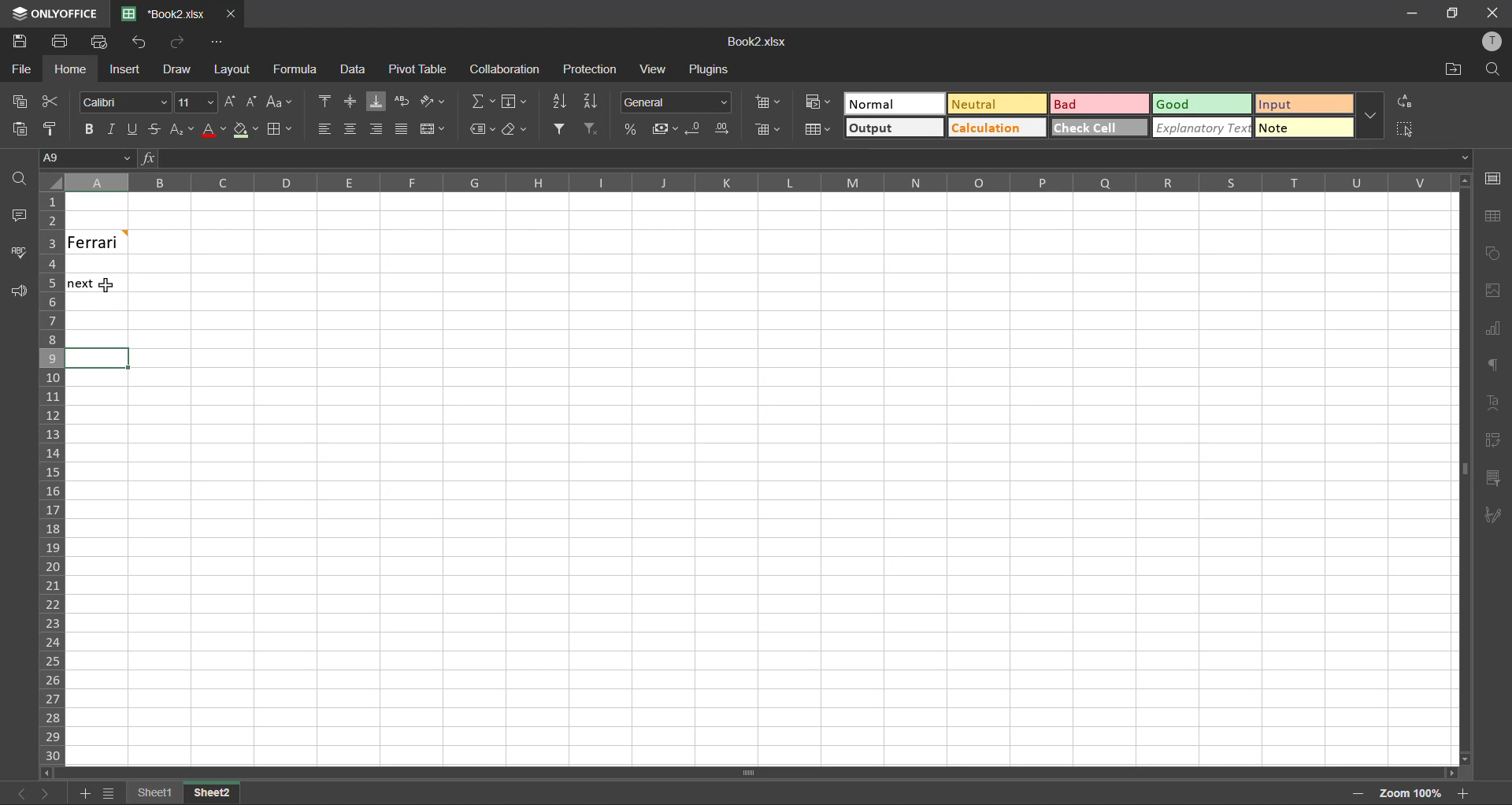 This screenshot has width=1512, height=805. Describe the element at coordinates (20, 253) in the screenshot. I see `spellcheck` at that location.